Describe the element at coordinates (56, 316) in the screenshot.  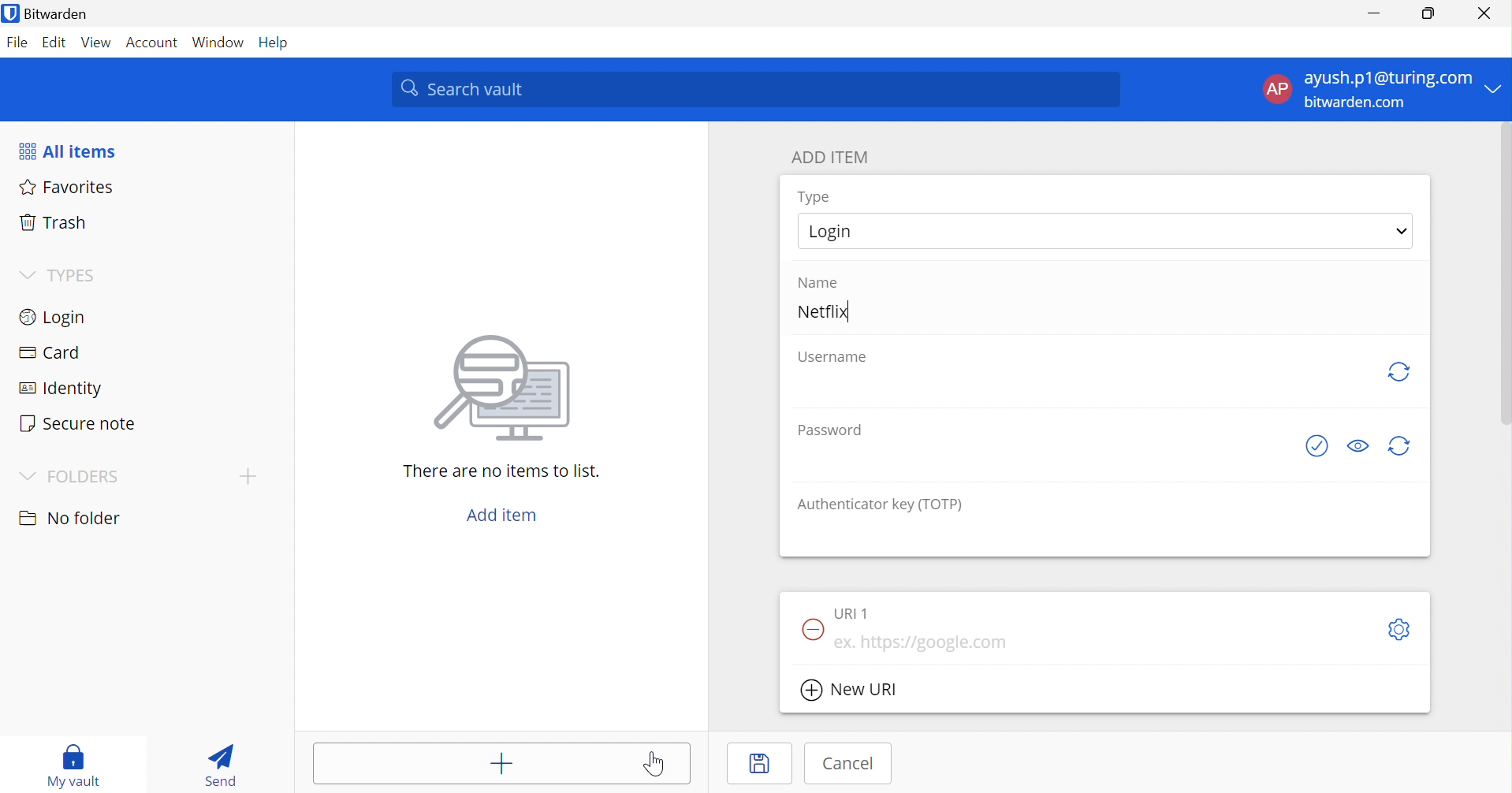
I see `Login` at that location.